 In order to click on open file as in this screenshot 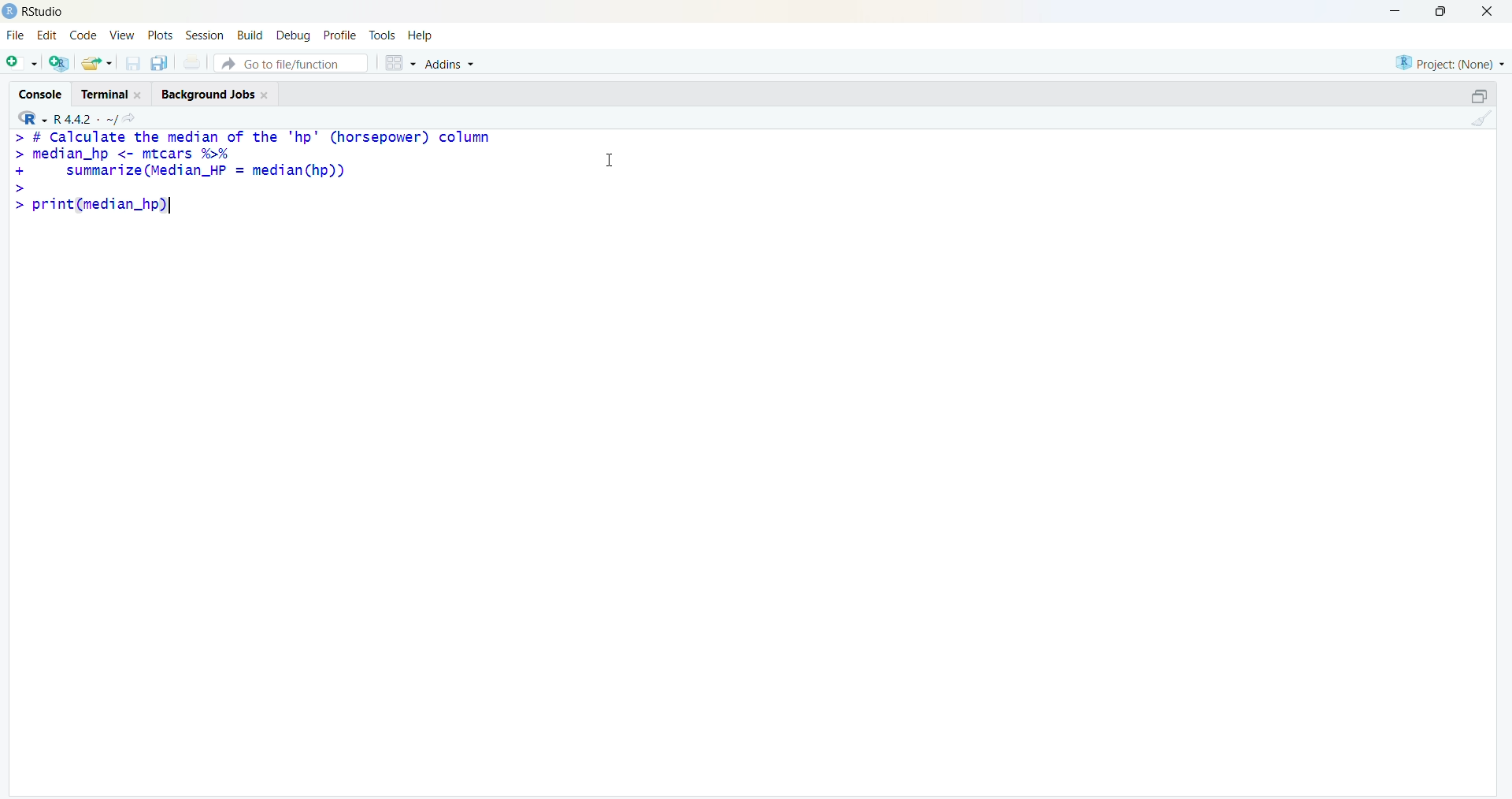, I will do `click(23, 64)`.